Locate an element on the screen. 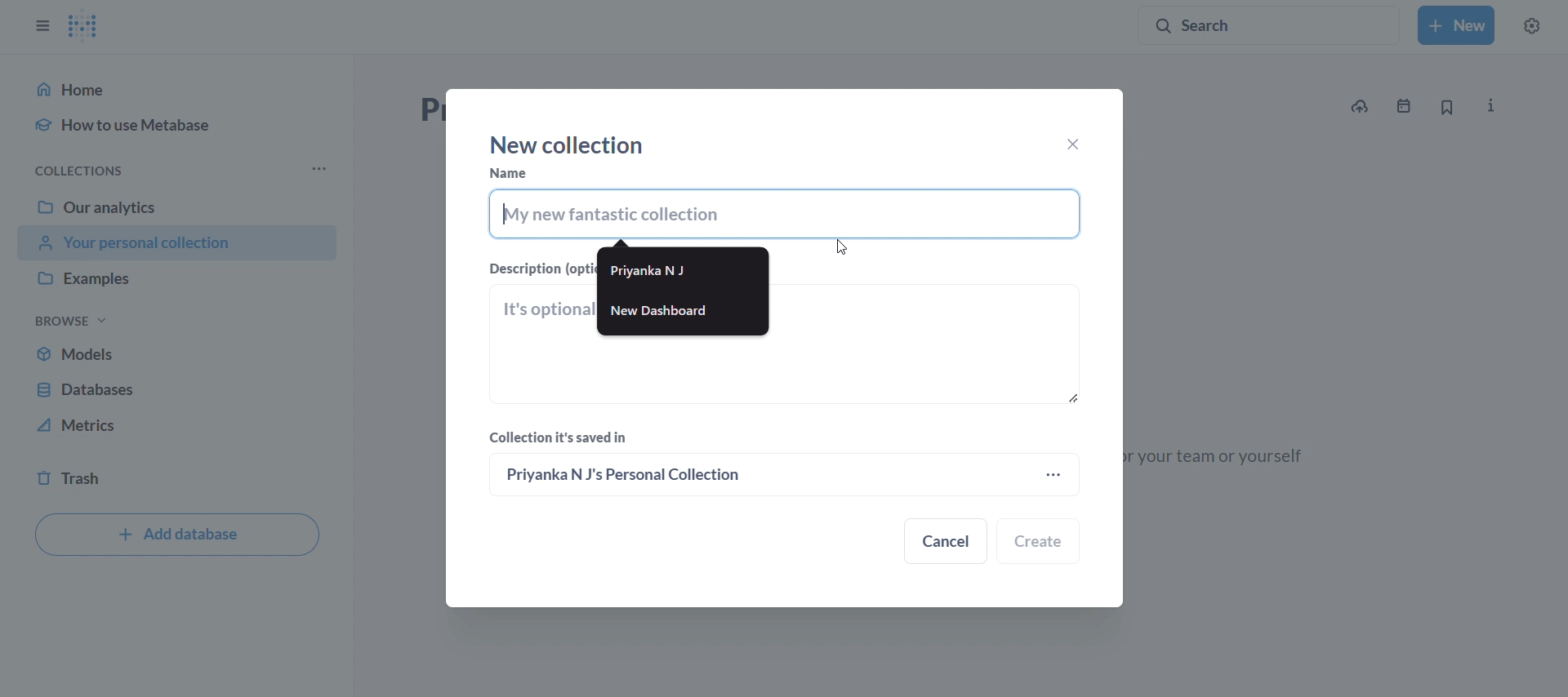  events is located at coordinates (1406, 109).